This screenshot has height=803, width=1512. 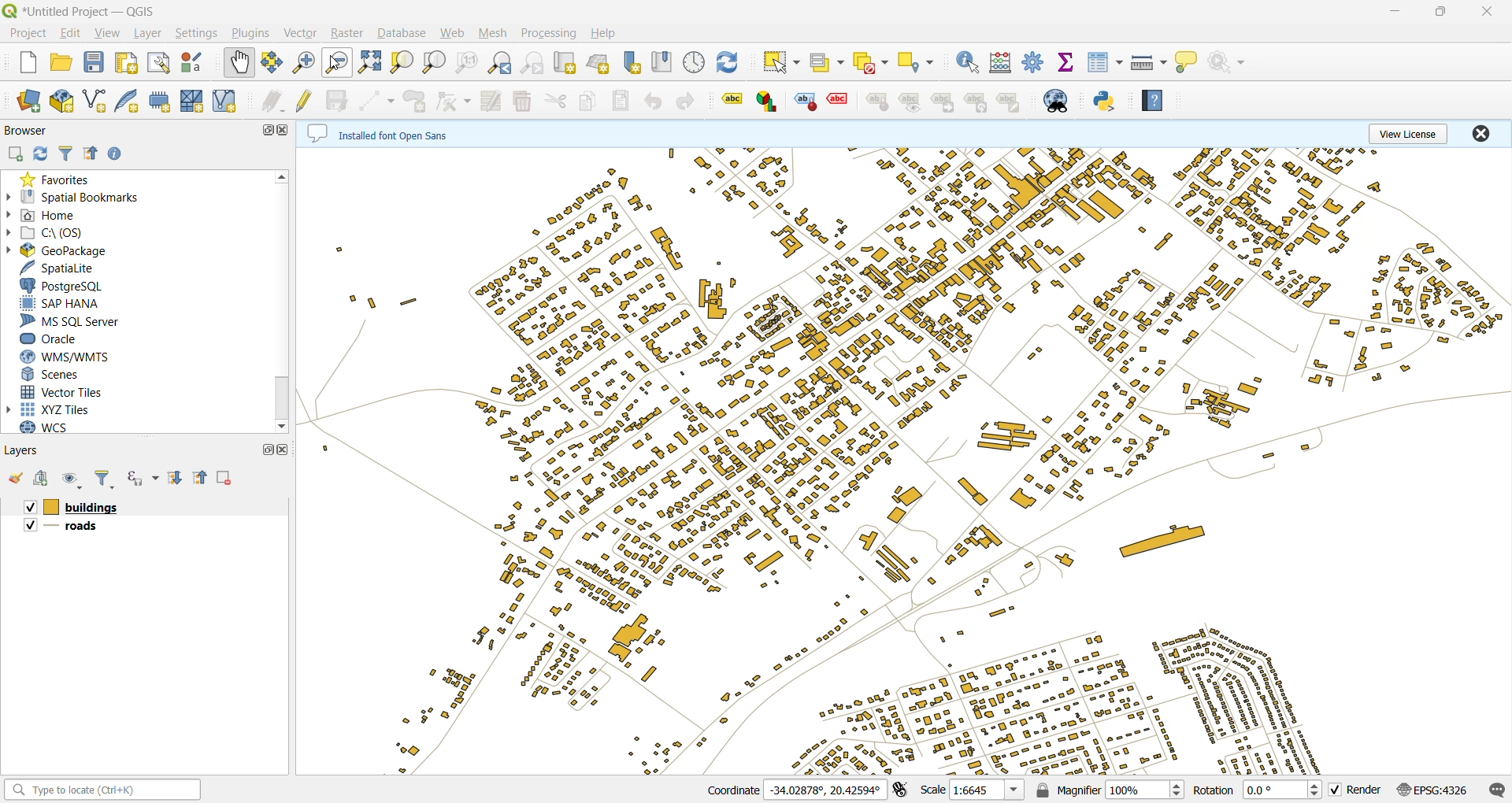 I want to click on close, so click(x=1481, y=132).